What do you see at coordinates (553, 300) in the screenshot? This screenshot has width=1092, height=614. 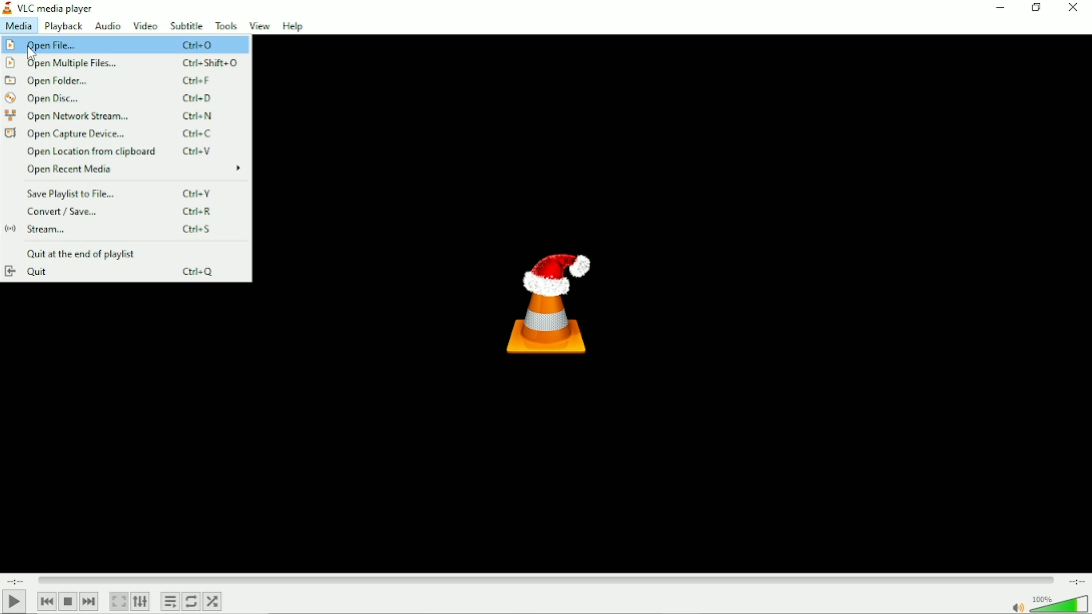 I see `Logo` at bounding box center [553, 300].